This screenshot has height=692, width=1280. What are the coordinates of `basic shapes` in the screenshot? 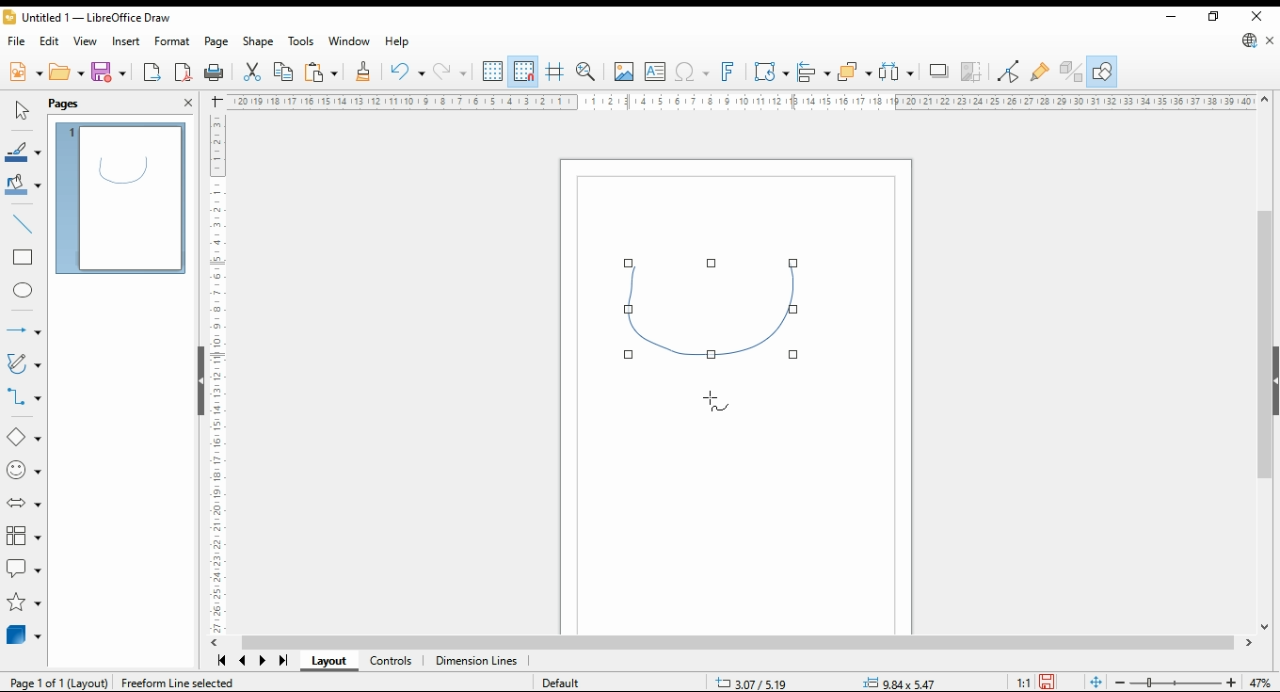 It's located at (22, 437).